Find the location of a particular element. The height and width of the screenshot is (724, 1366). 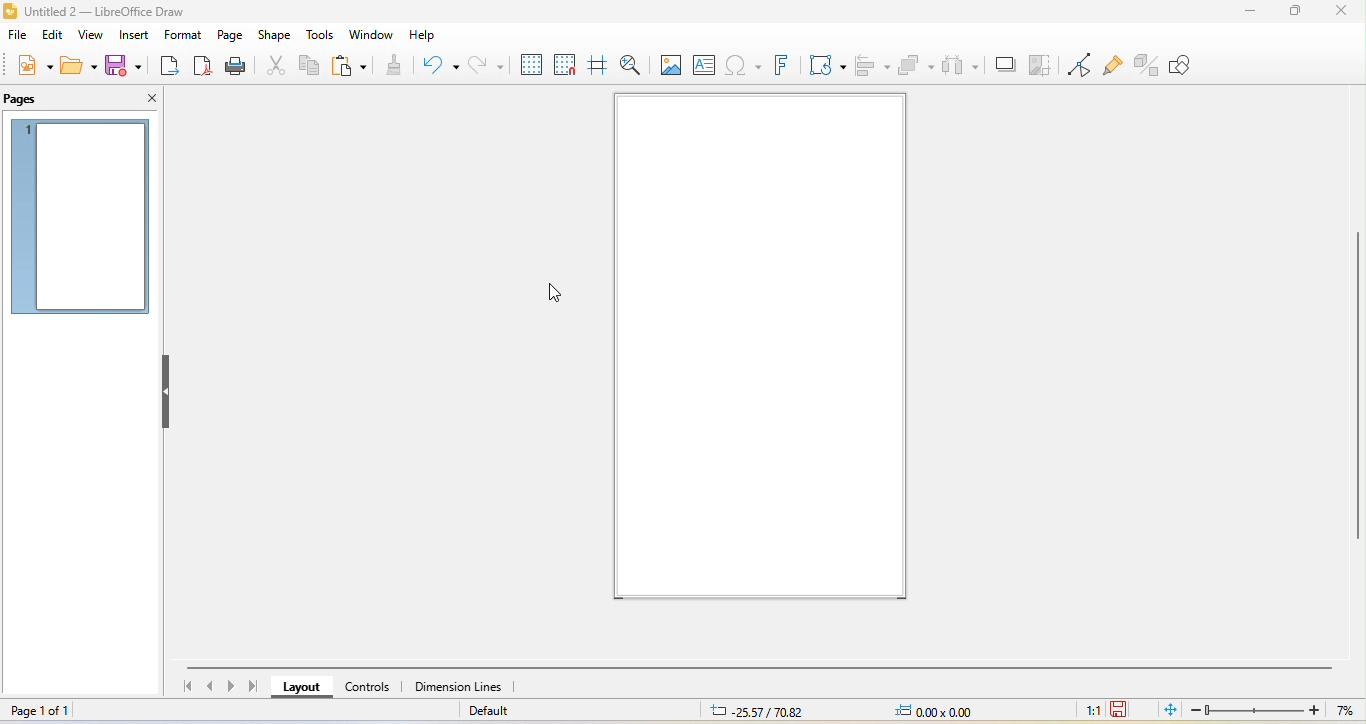

redo is located at coordinates (485, 64).